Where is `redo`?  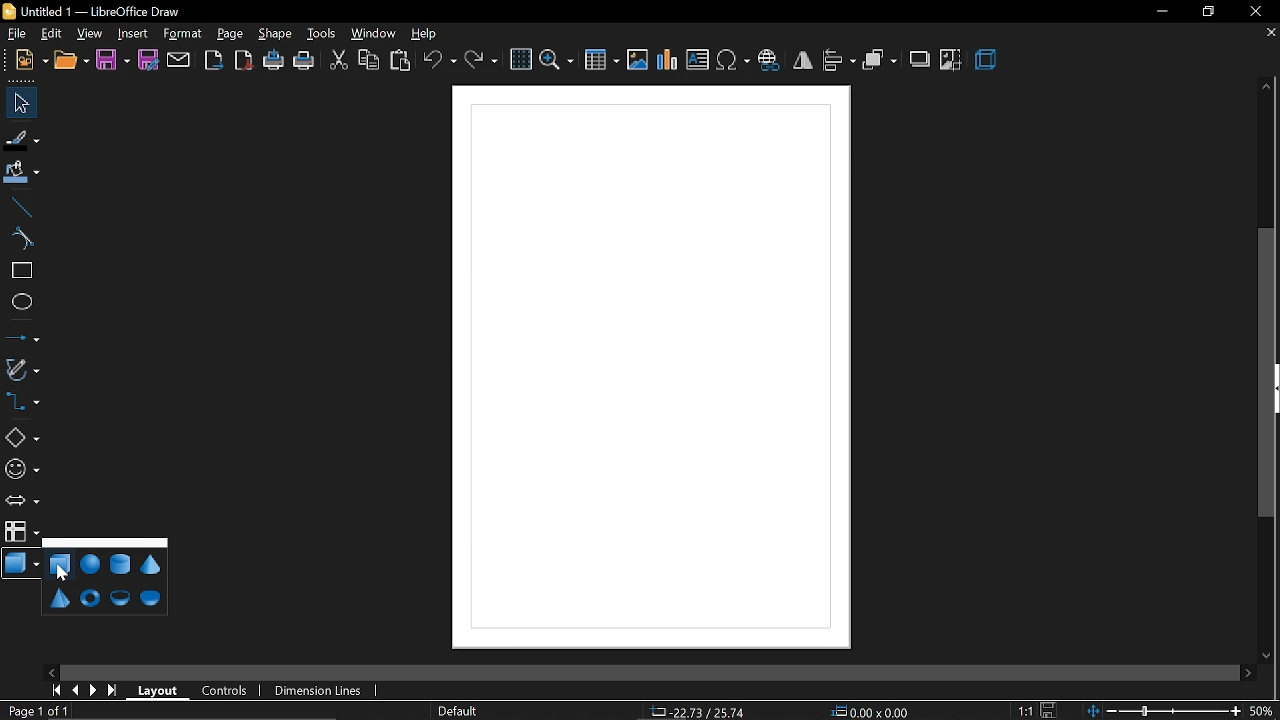
redo is located at coordinates (481, 61).